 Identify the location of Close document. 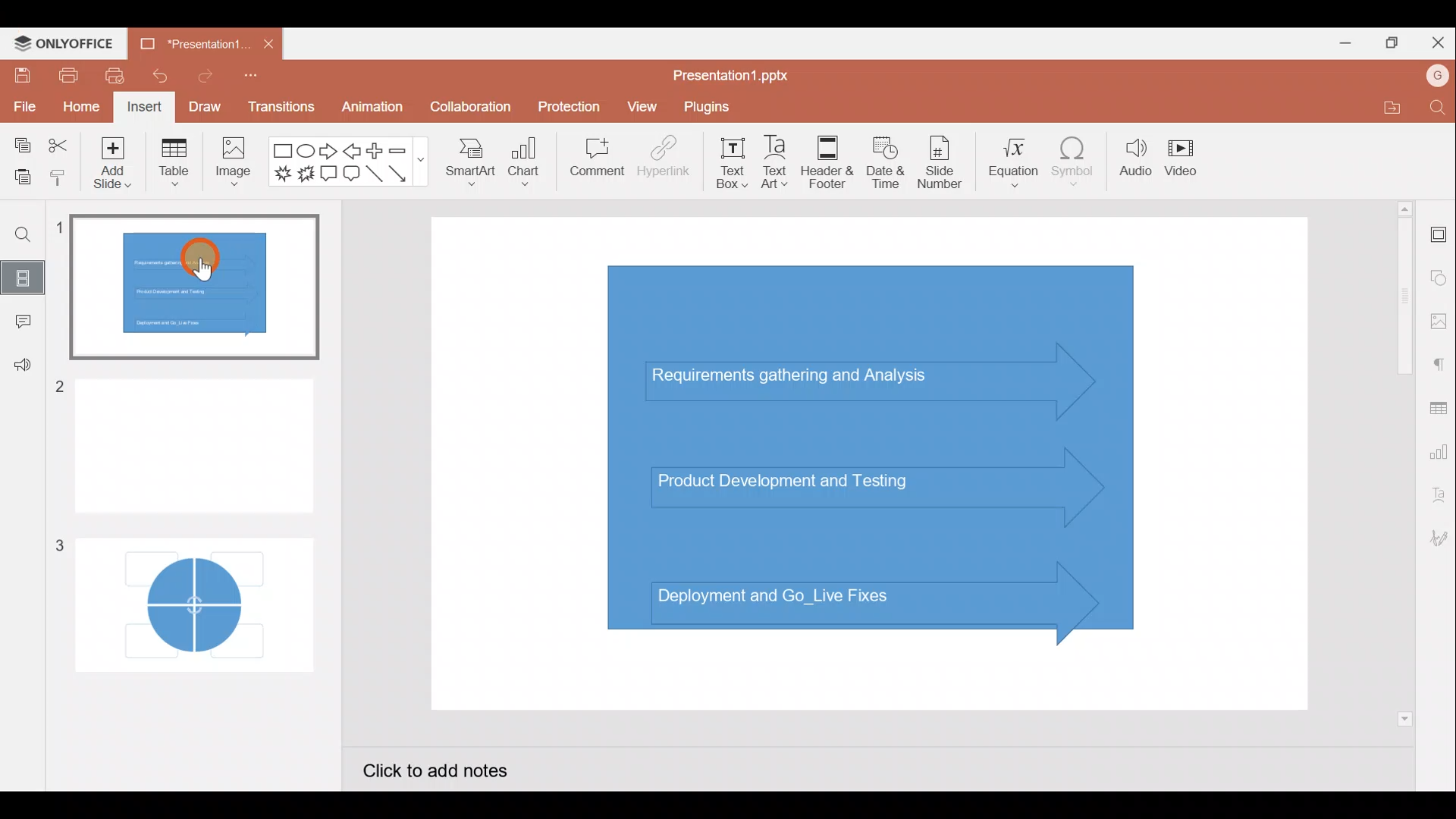
(269, 43).